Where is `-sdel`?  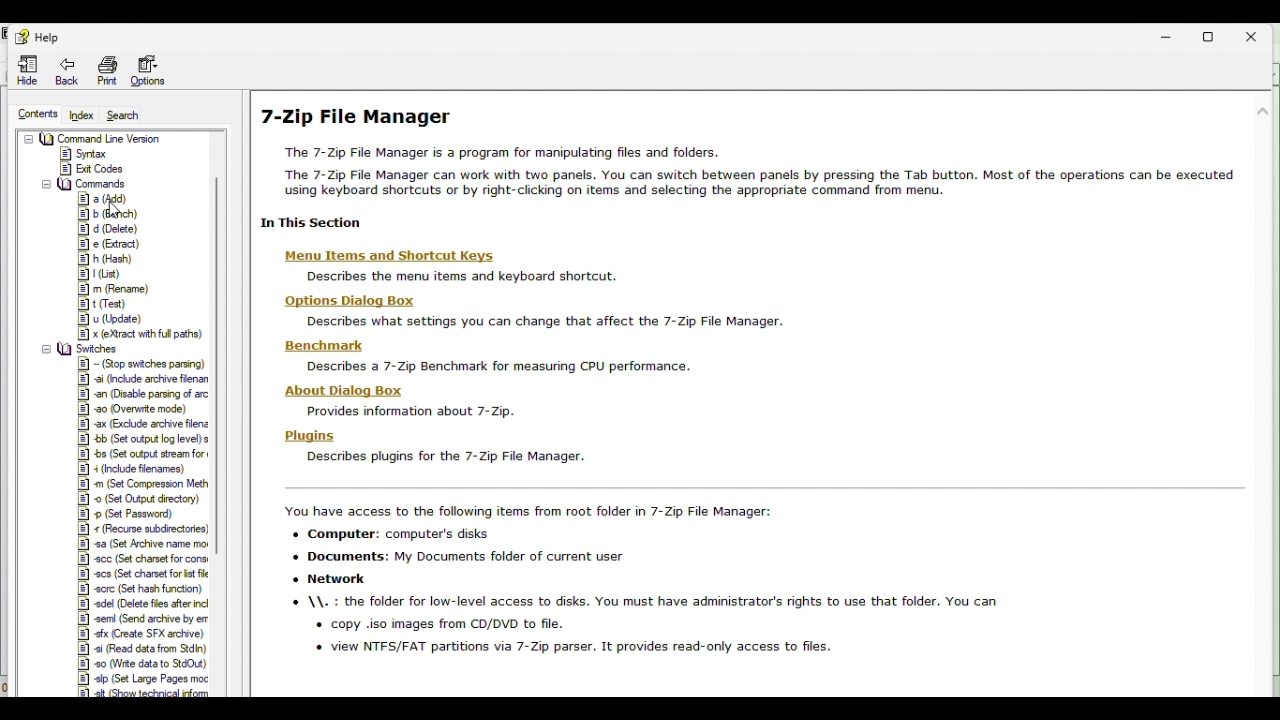
-sdel is located at coordinates (145, 604).